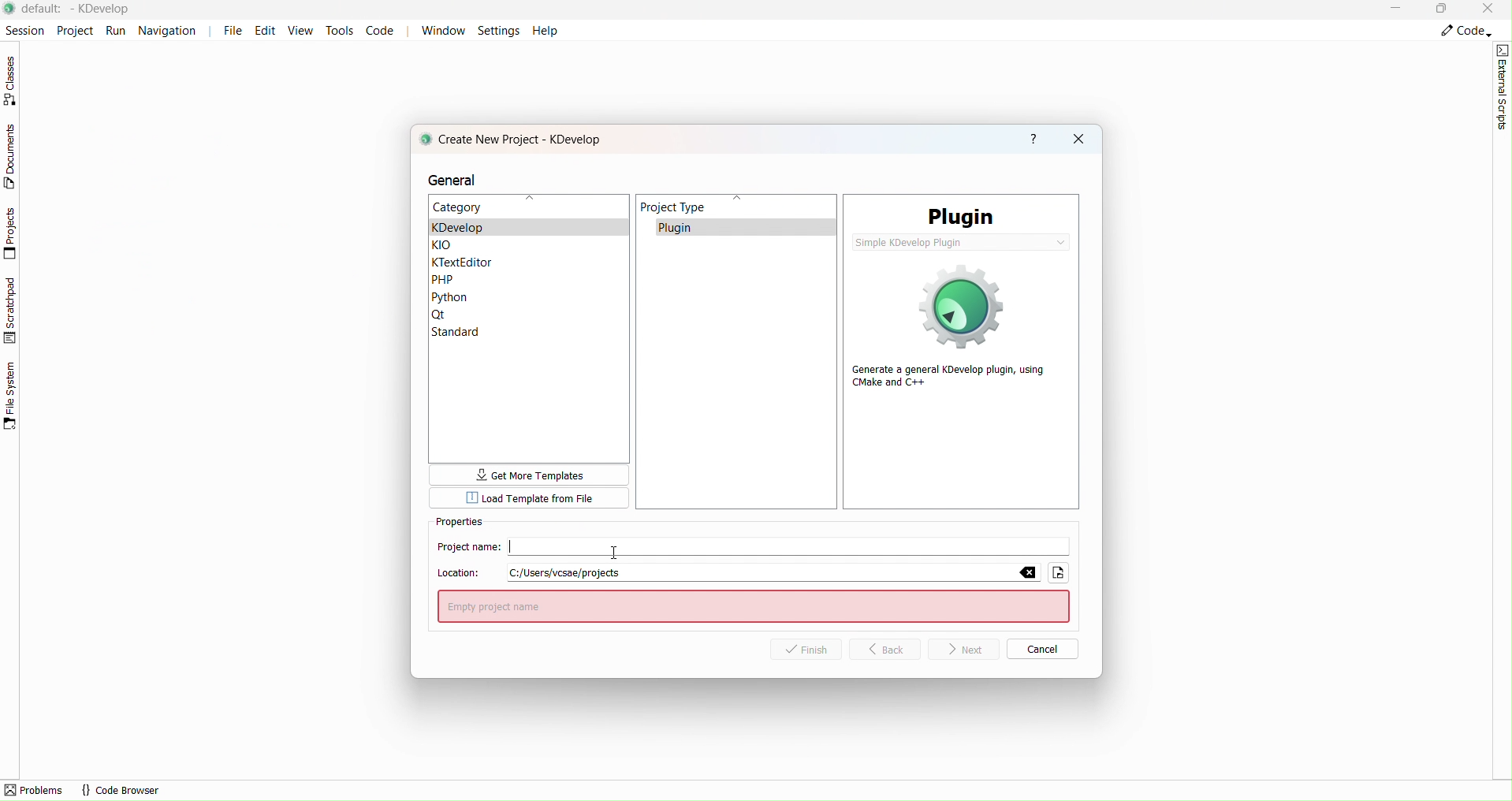  What do you see at coordinates (1503, 87) in the screenshot?
I see `External script` at bounding box center [1503, 87].